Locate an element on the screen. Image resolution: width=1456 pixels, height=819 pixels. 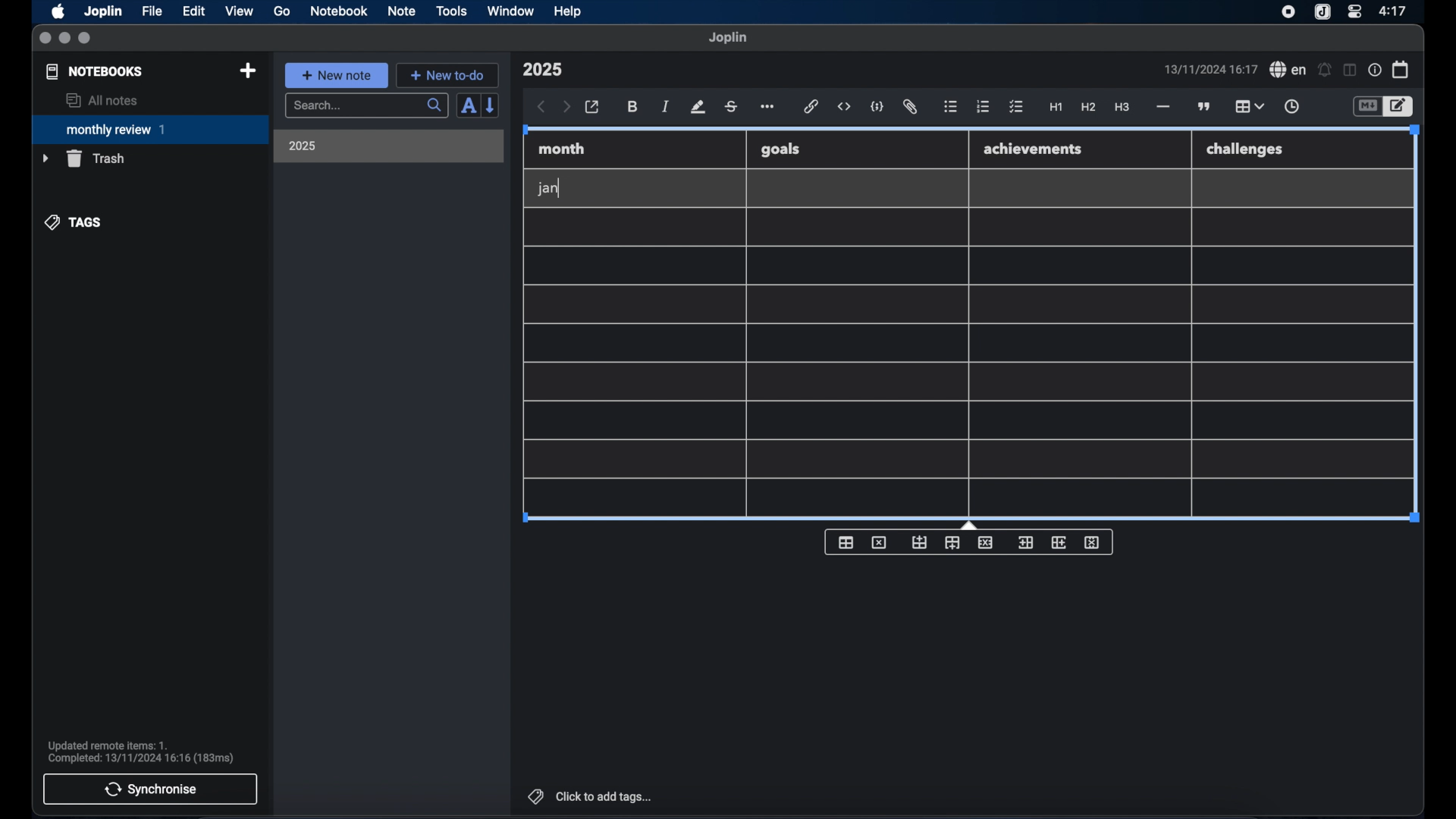
trash is located at coordinates (83, 158).